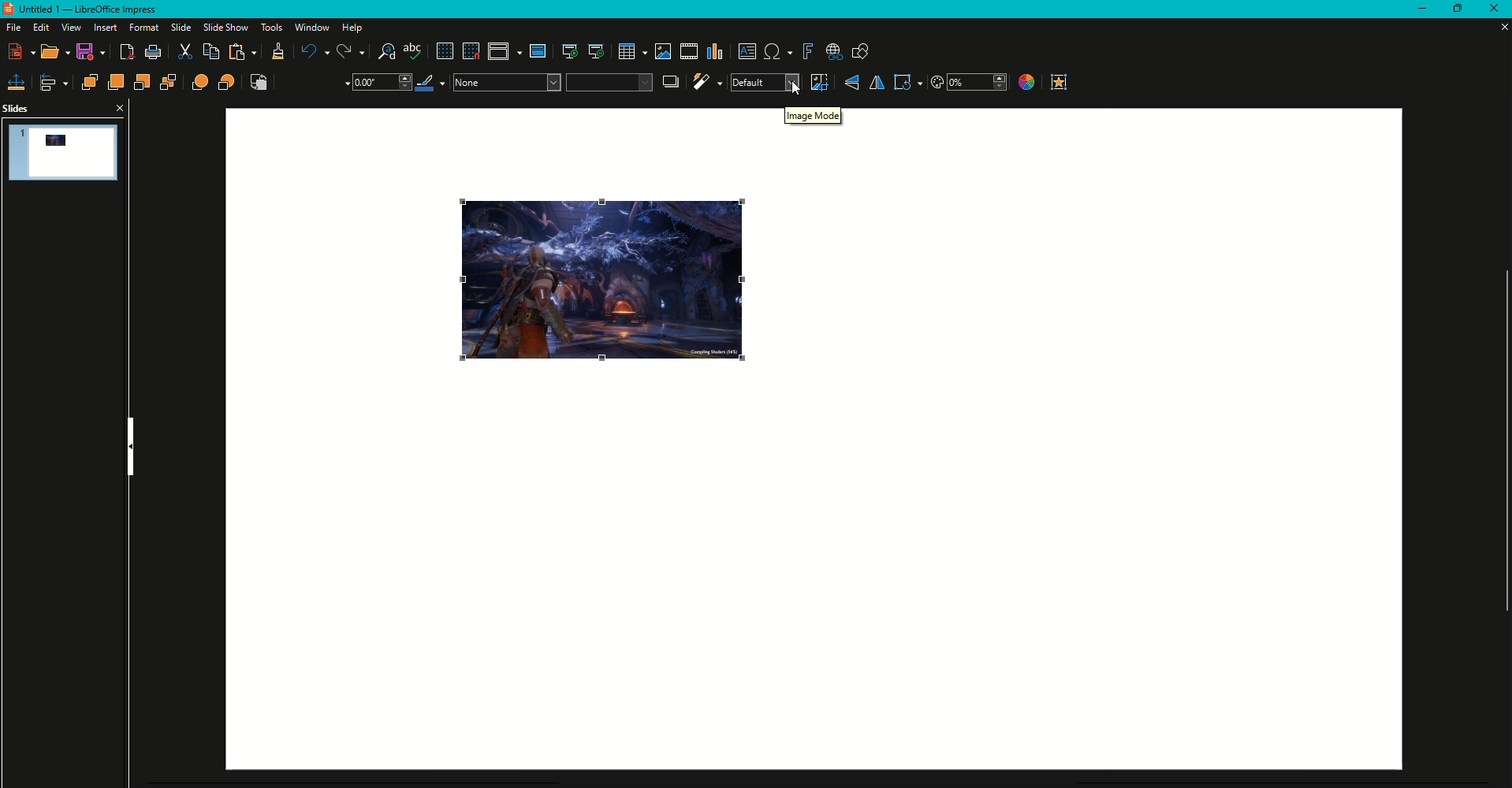 This screenshot has height=788, width=1512. I want to click on Save, so click(94, 54).